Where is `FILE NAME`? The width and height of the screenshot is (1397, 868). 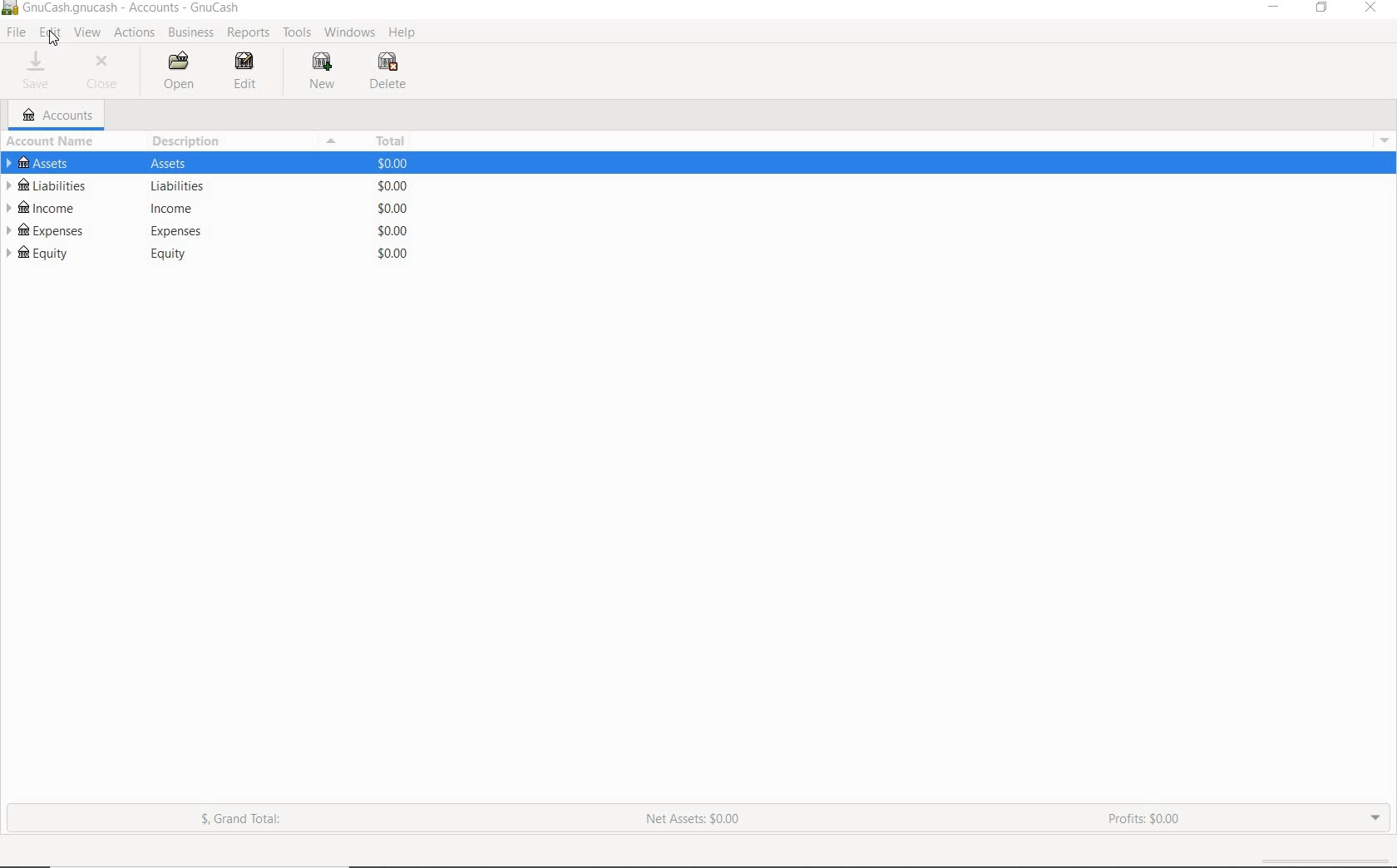
FILE NAME is located at coordinates (122, 7).